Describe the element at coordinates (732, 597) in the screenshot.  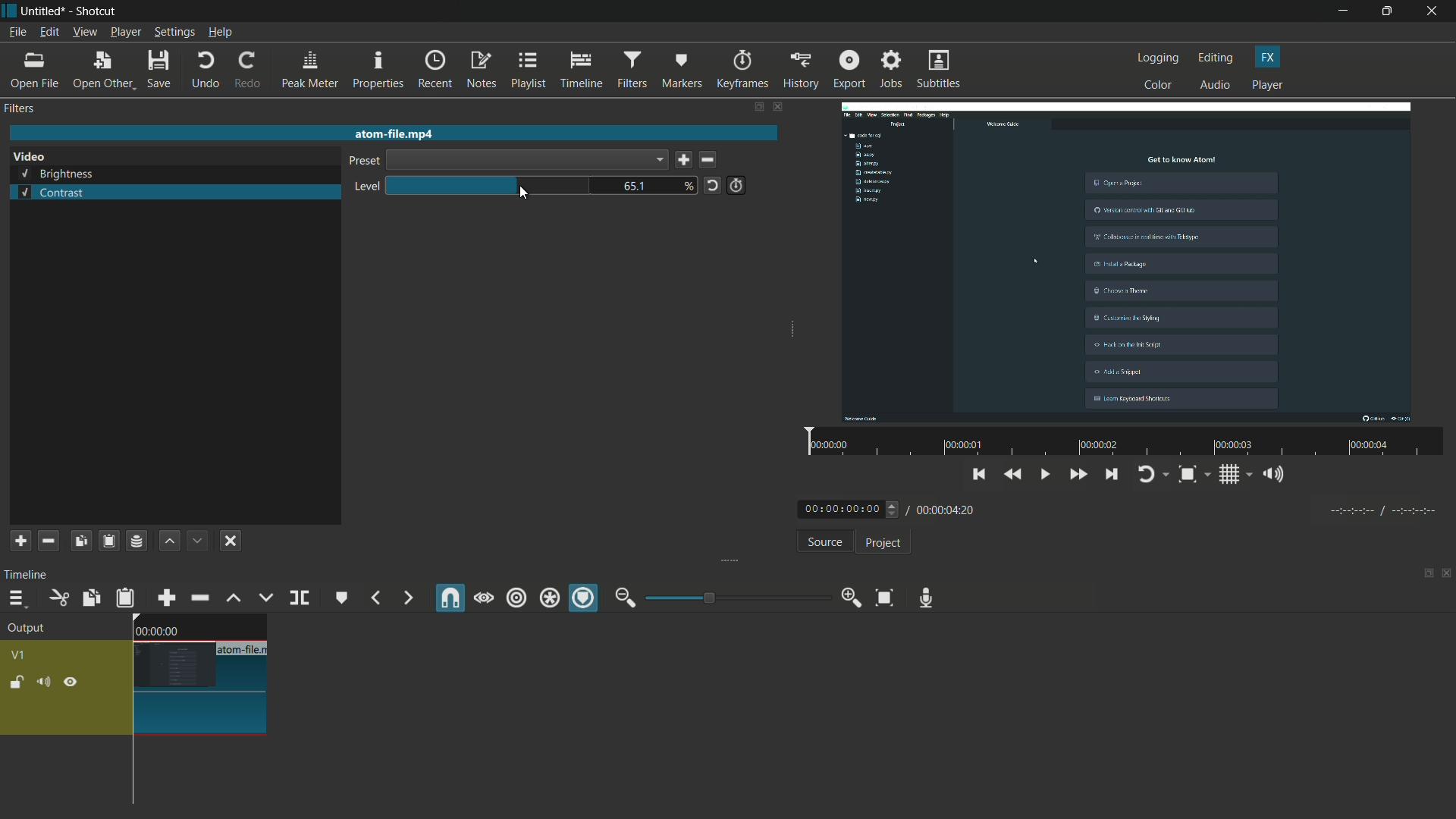
I see `zoom bar` at that location.